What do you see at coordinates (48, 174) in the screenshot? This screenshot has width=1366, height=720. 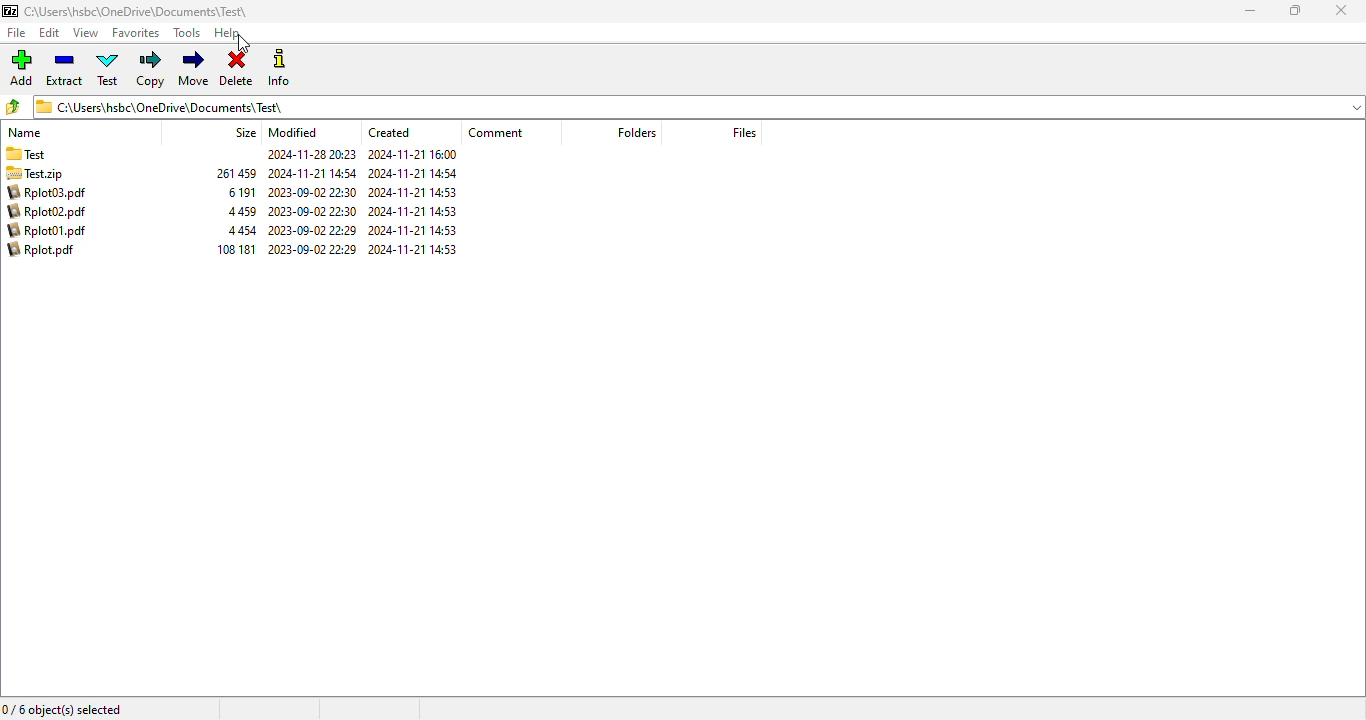 I see `Test.zip` at bounding box center [48, 174].